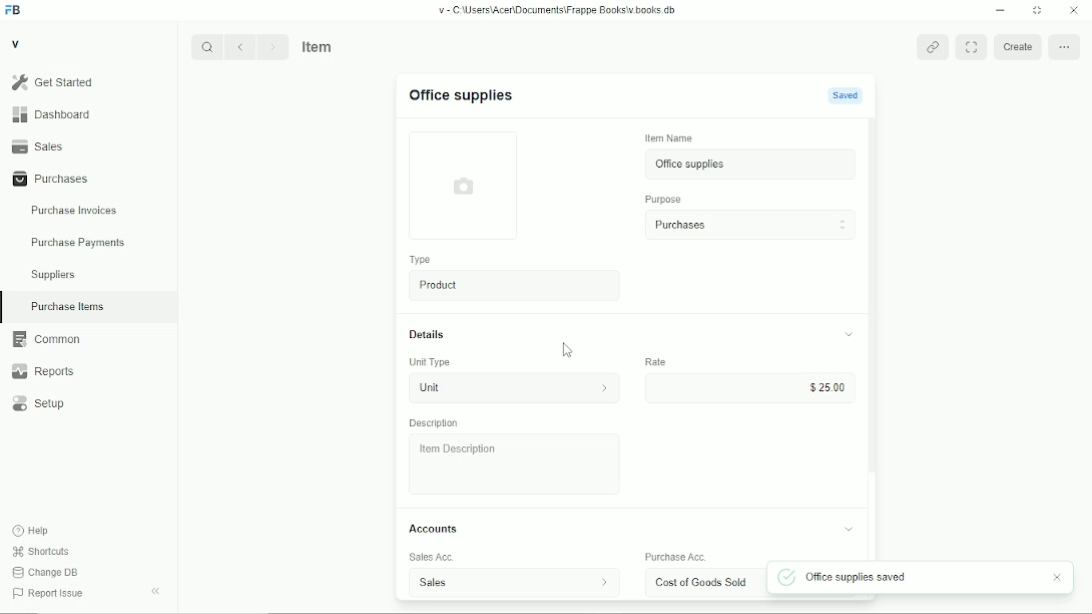  Describe the element at coordinates (516, 285) in the screenshot. I see `product` at that location.